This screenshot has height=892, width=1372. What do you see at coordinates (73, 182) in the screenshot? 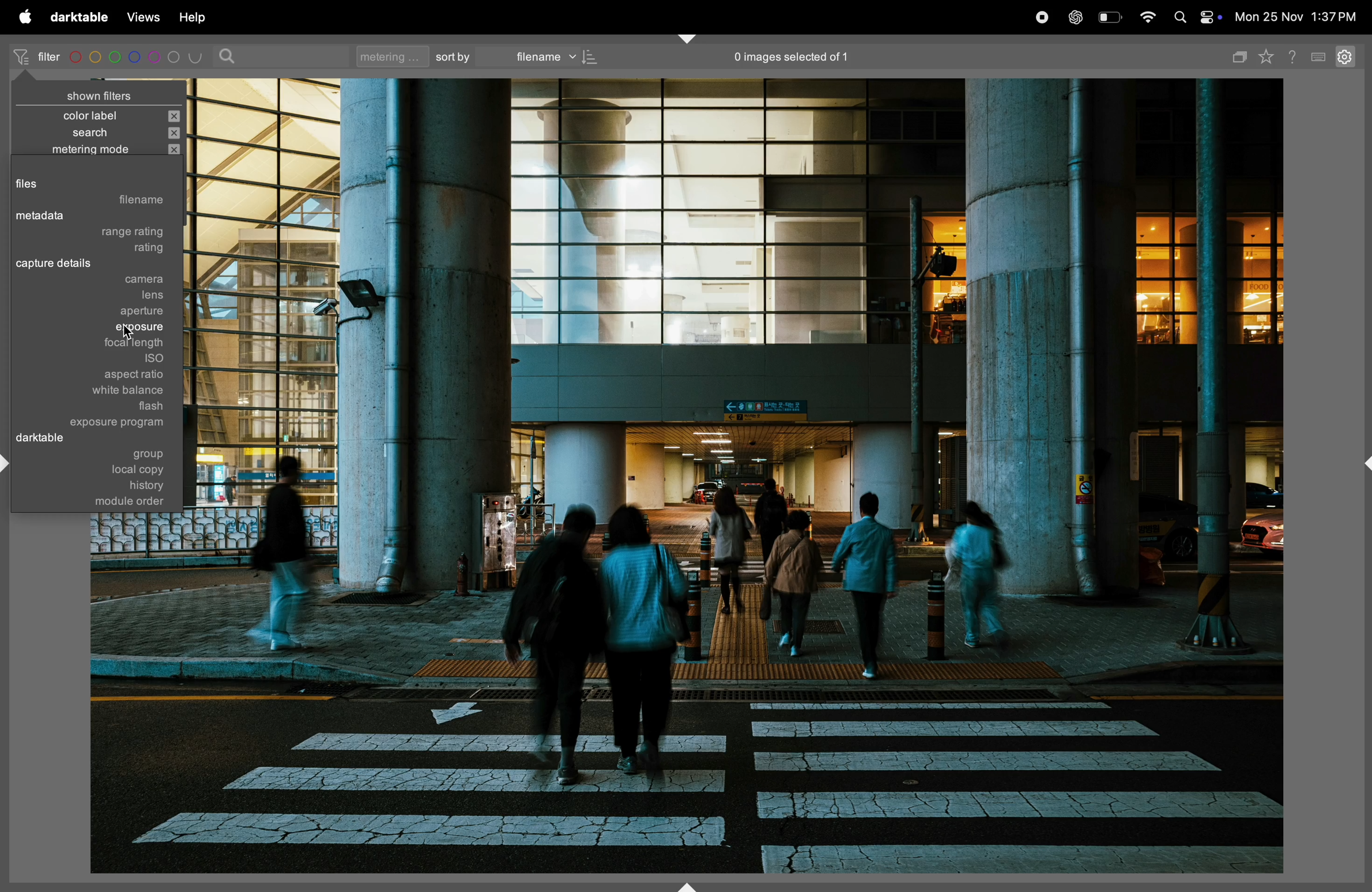
I see `files` at bounding box center [73, 182].